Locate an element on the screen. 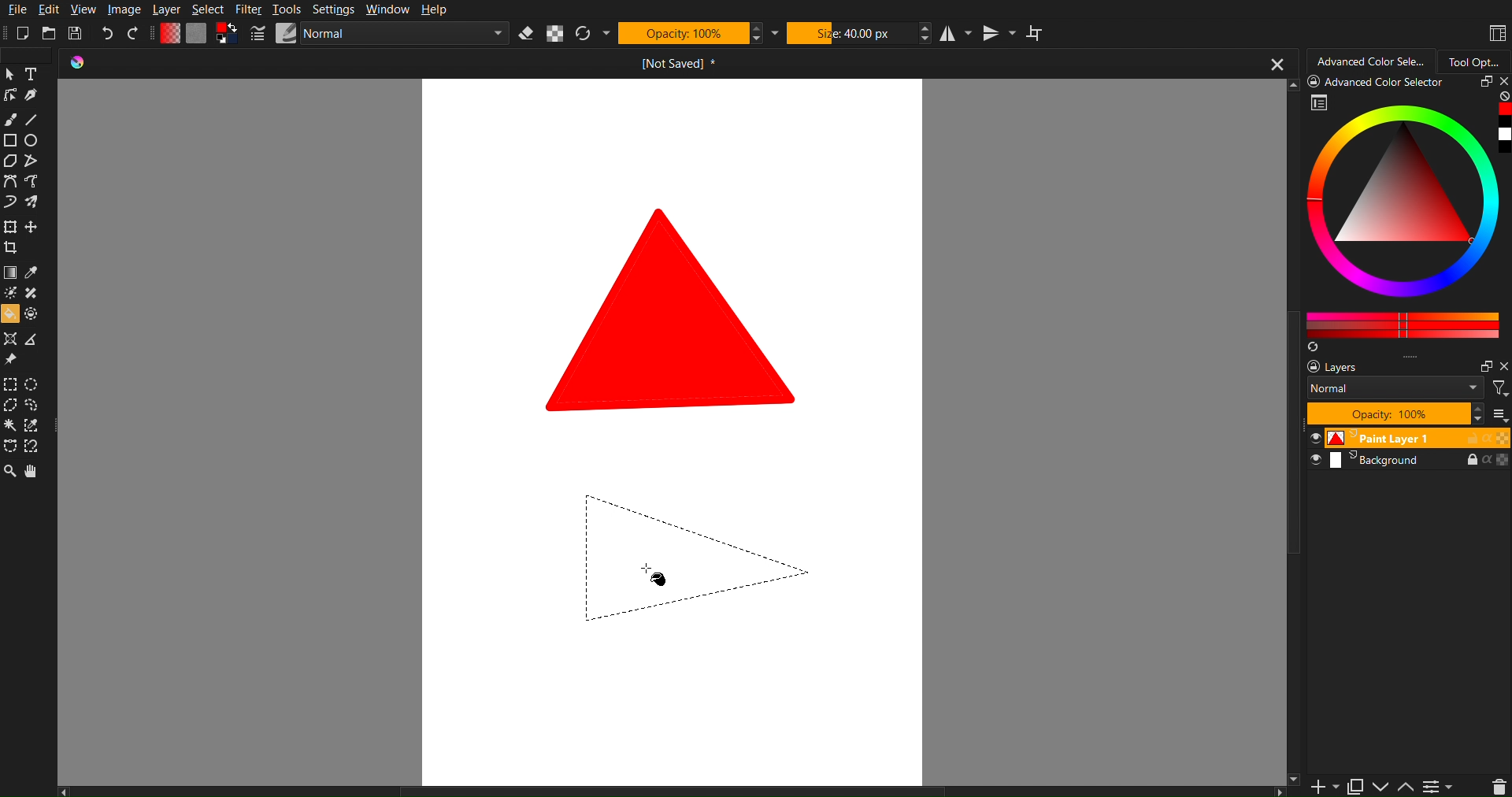 This screenshot has height=797, width=1512. Opacity is located at coordinates (684, 34).